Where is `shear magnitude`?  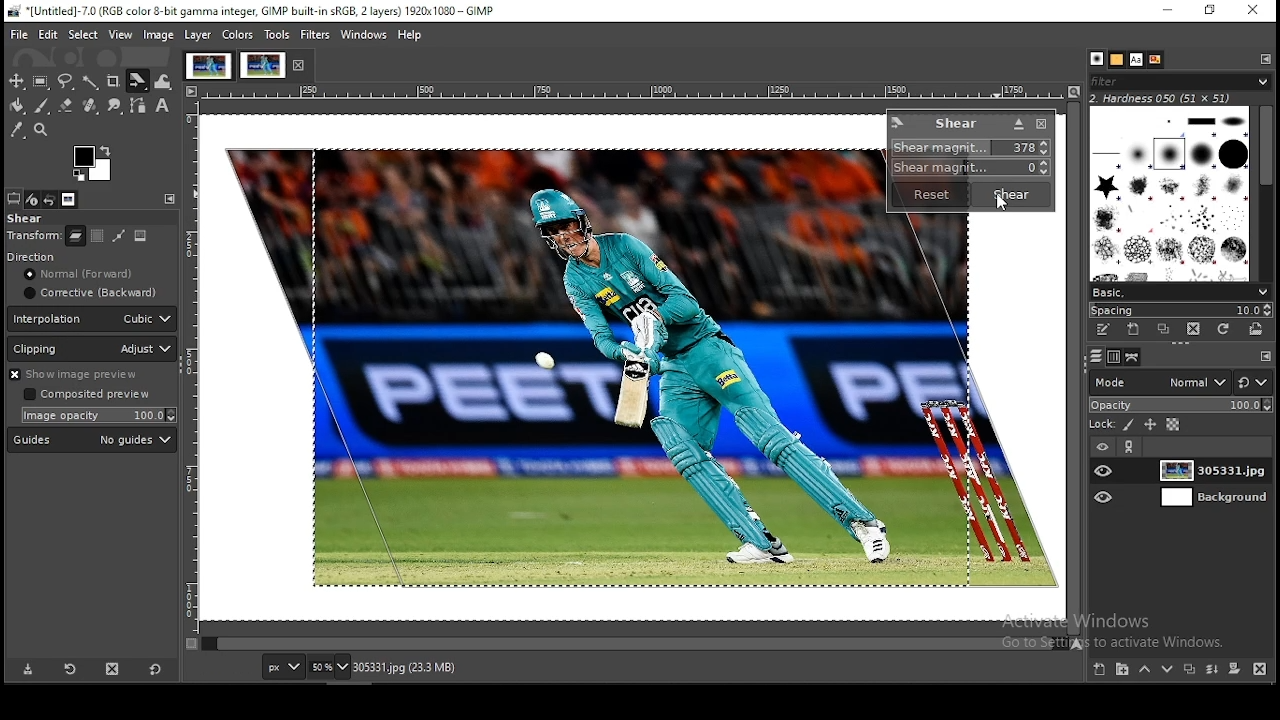
shear magnitude is located at coordinates (967, 169).